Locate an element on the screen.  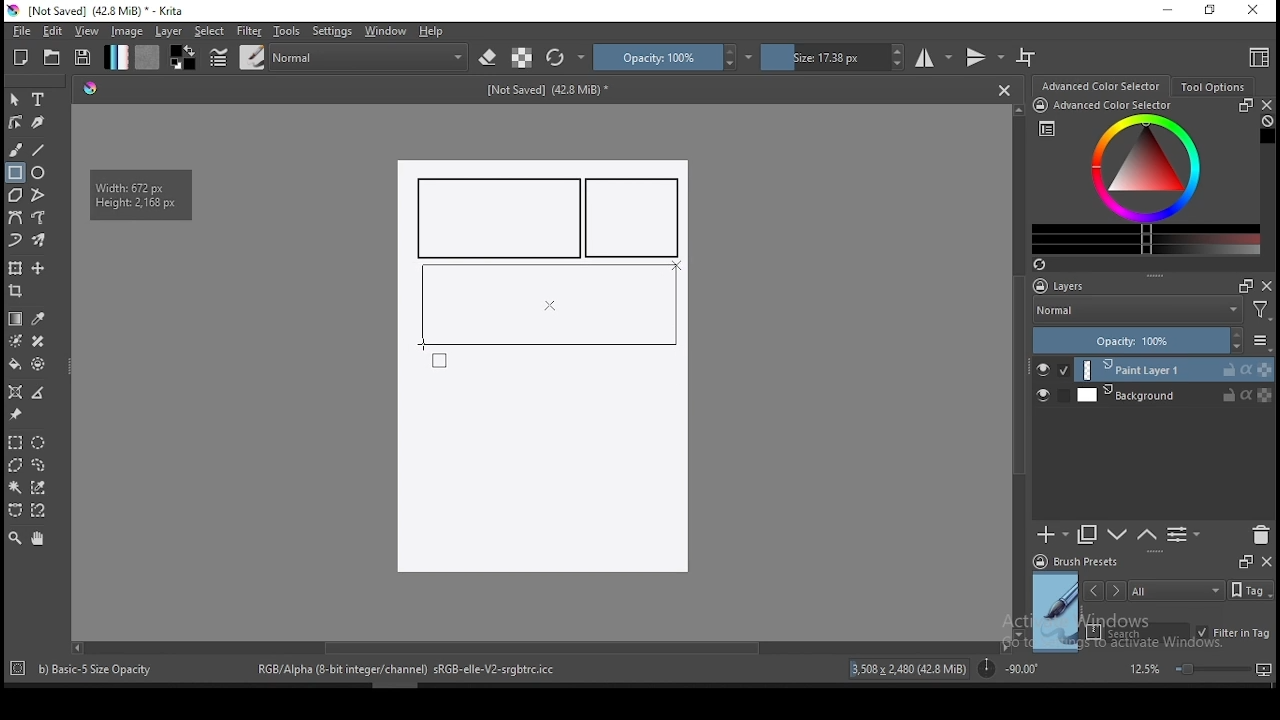
windows is located at coordinates (386, 31).